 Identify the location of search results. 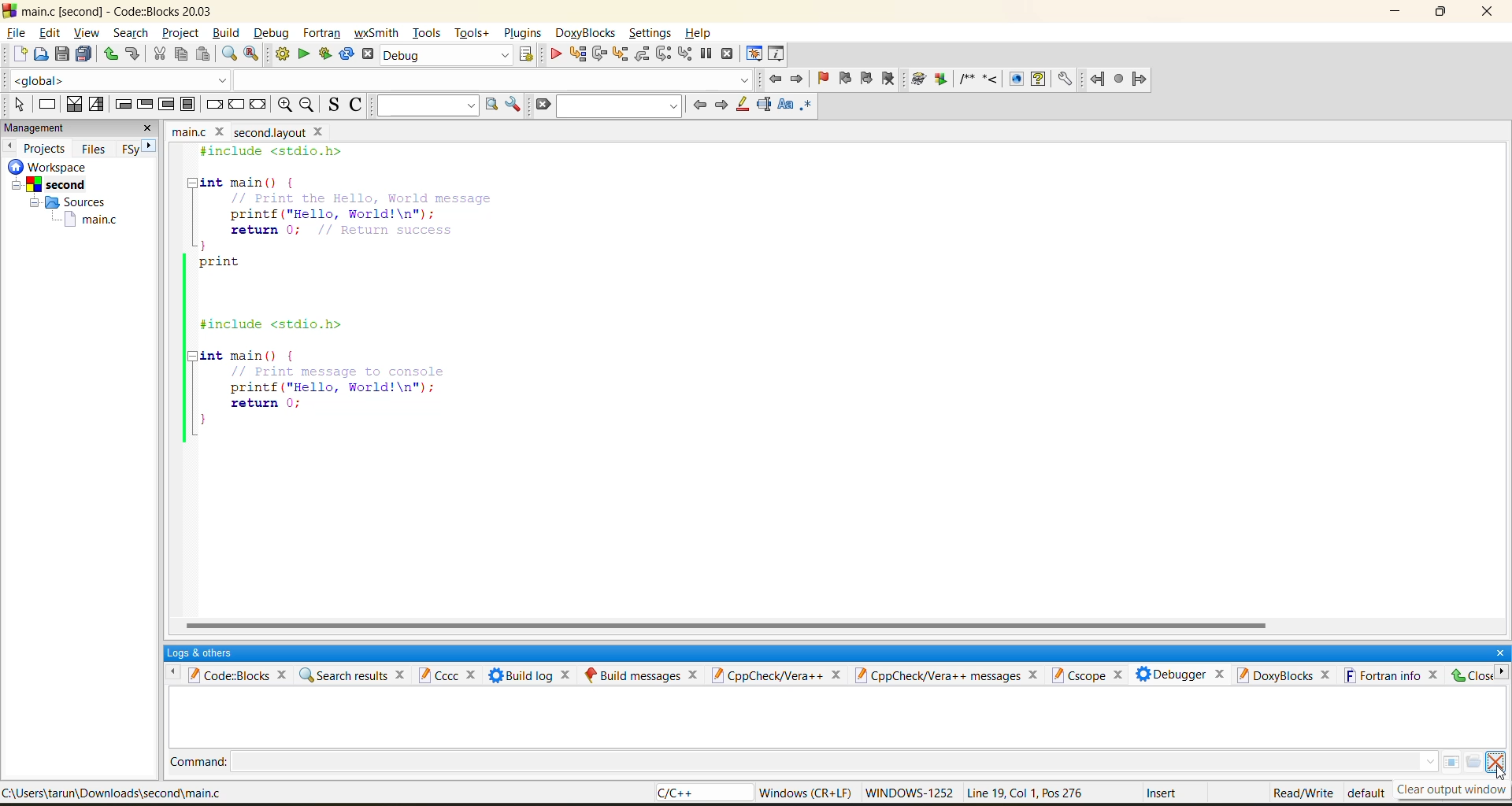
(354, 672).